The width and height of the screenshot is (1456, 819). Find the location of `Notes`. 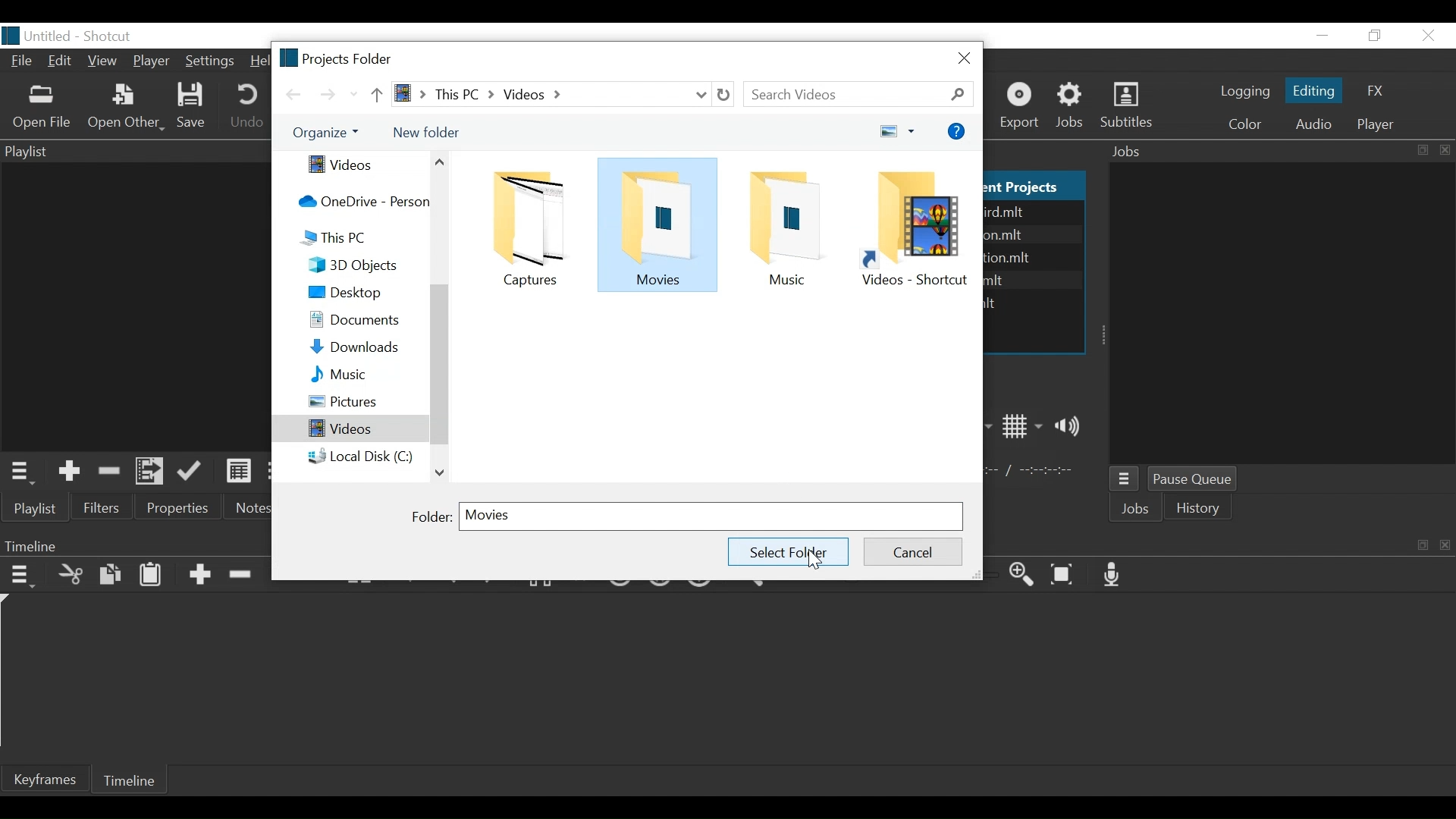

Notes is located at coordinates (246, 507).